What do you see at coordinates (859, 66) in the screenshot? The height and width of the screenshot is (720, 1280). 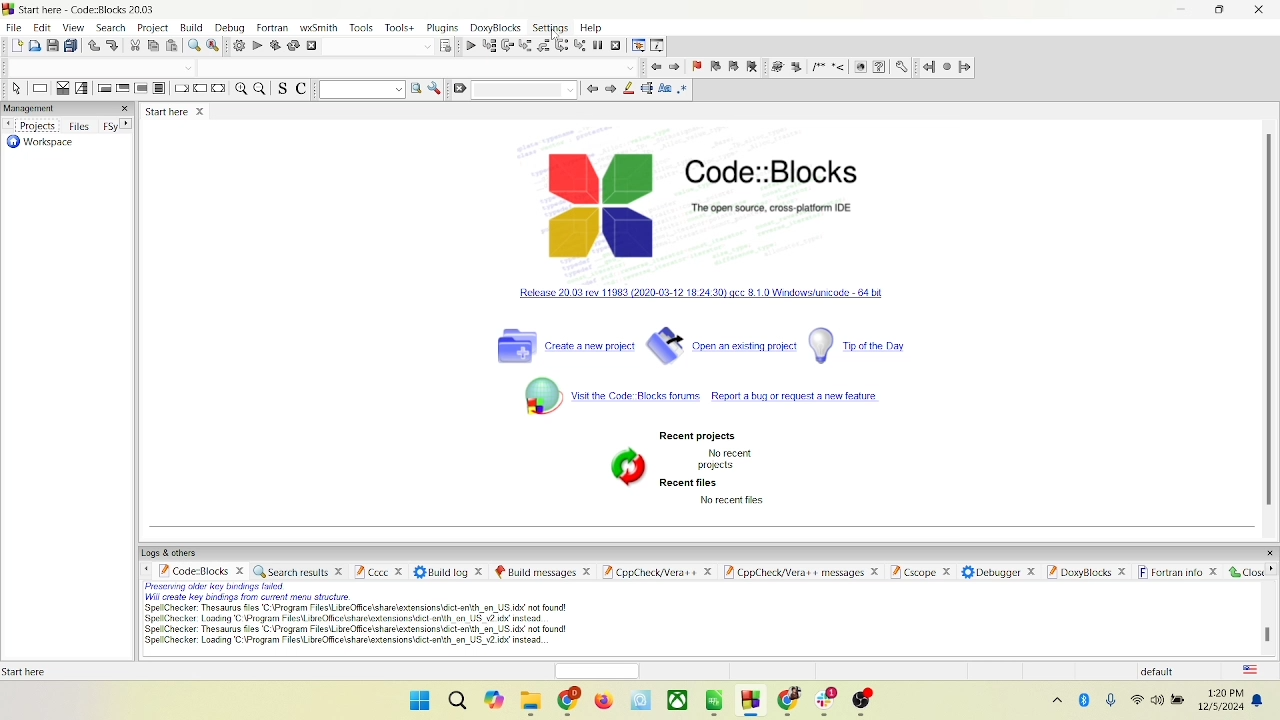 I see `web` at bounding box center [859, 66].